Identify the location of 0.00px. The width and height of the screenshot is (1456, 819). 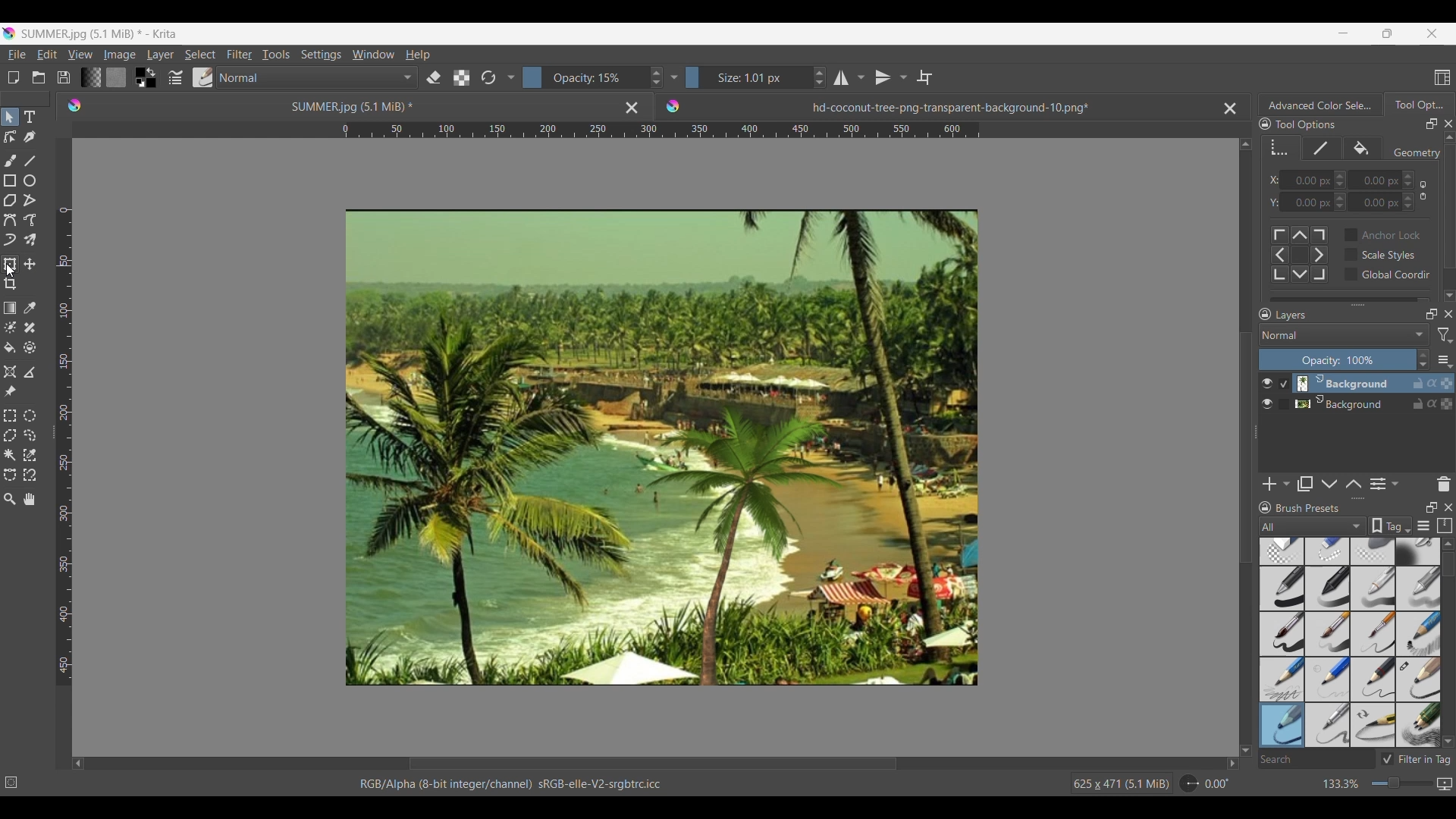
(1382, 178).